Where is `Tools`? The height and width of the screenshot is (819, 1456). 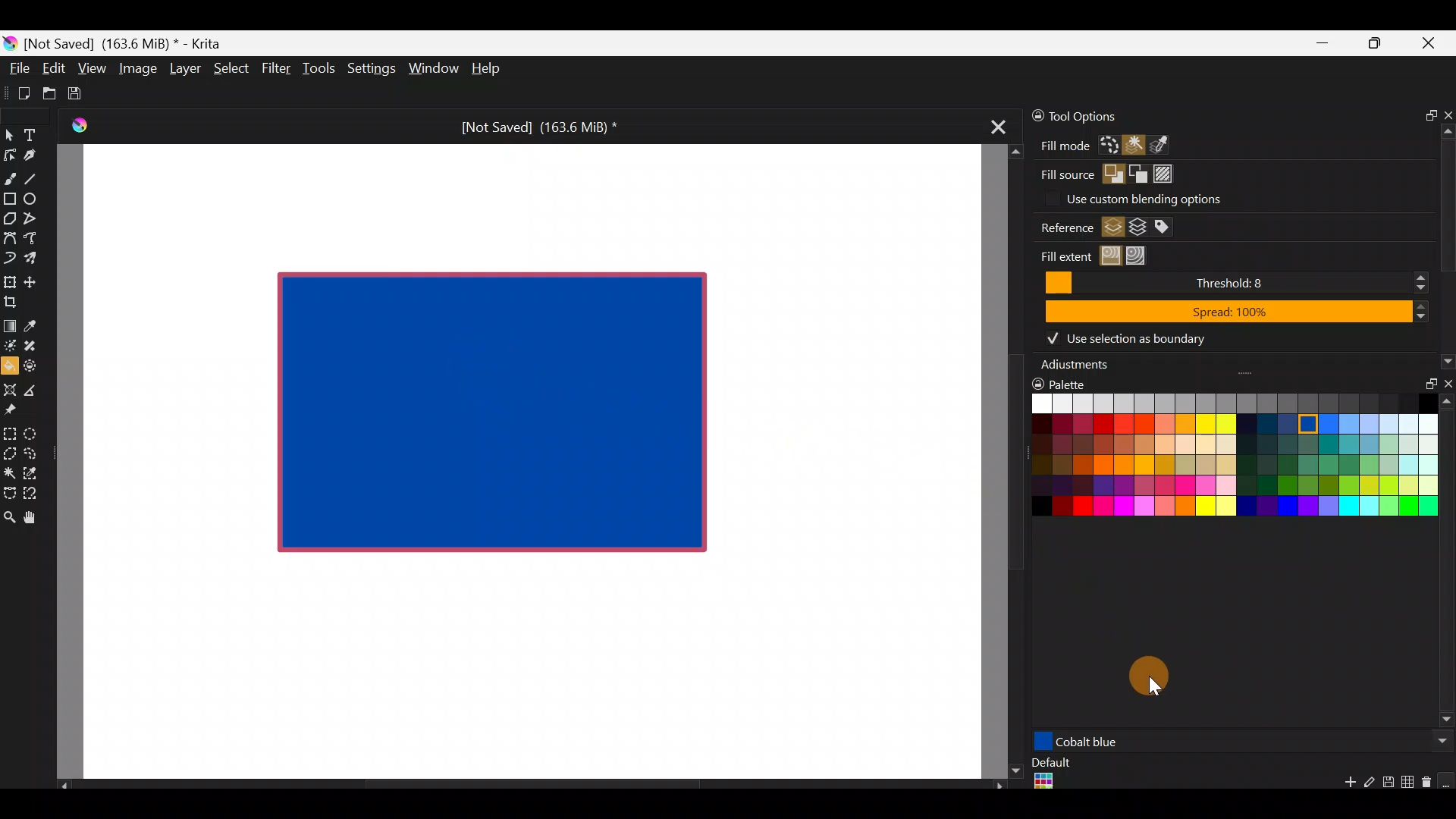 Tools is located at coordinates (315, 71).